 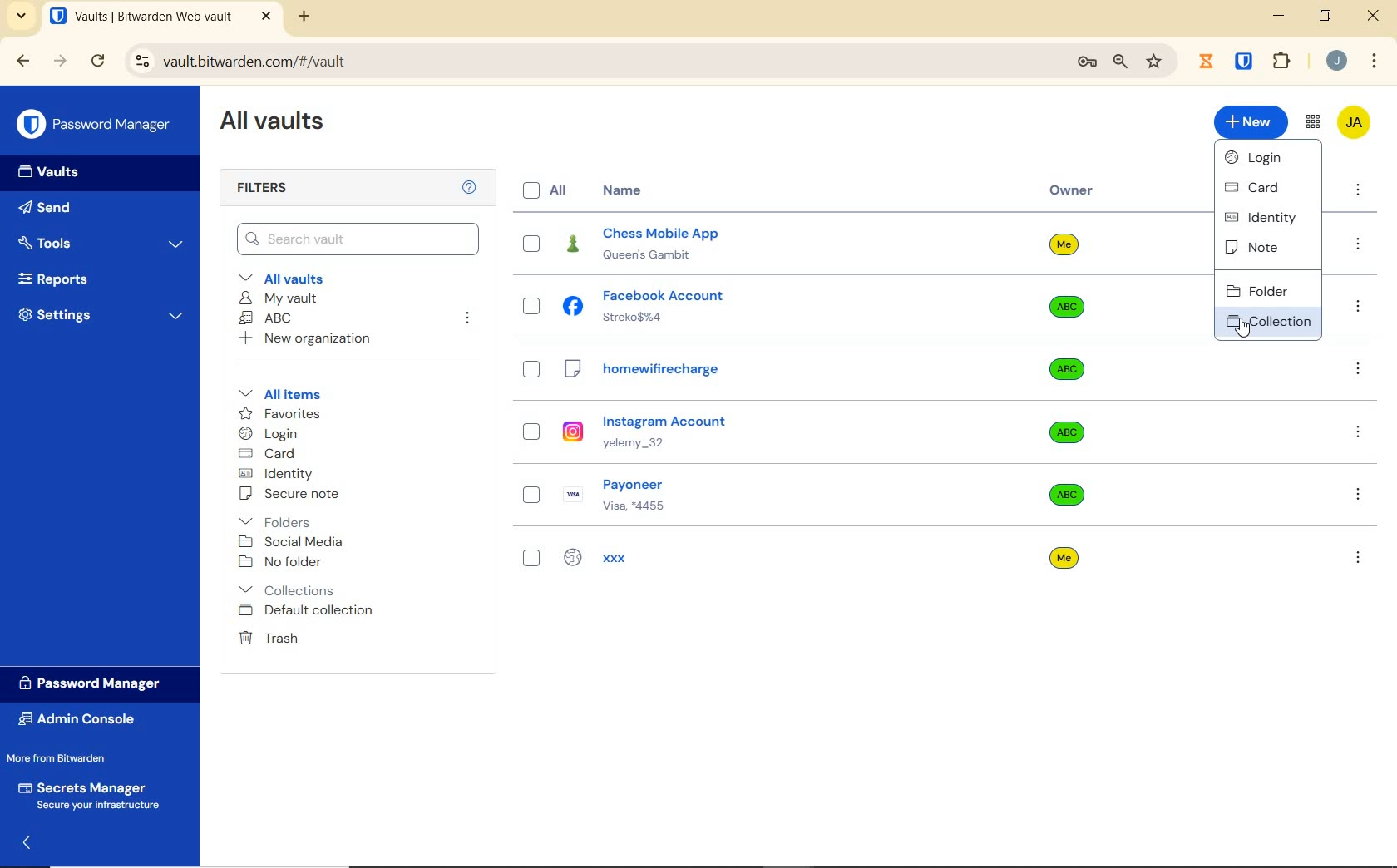 What do you see at coordinates (25, 845) in the screenshot?
I see `back` at bounding box center [25, 845].